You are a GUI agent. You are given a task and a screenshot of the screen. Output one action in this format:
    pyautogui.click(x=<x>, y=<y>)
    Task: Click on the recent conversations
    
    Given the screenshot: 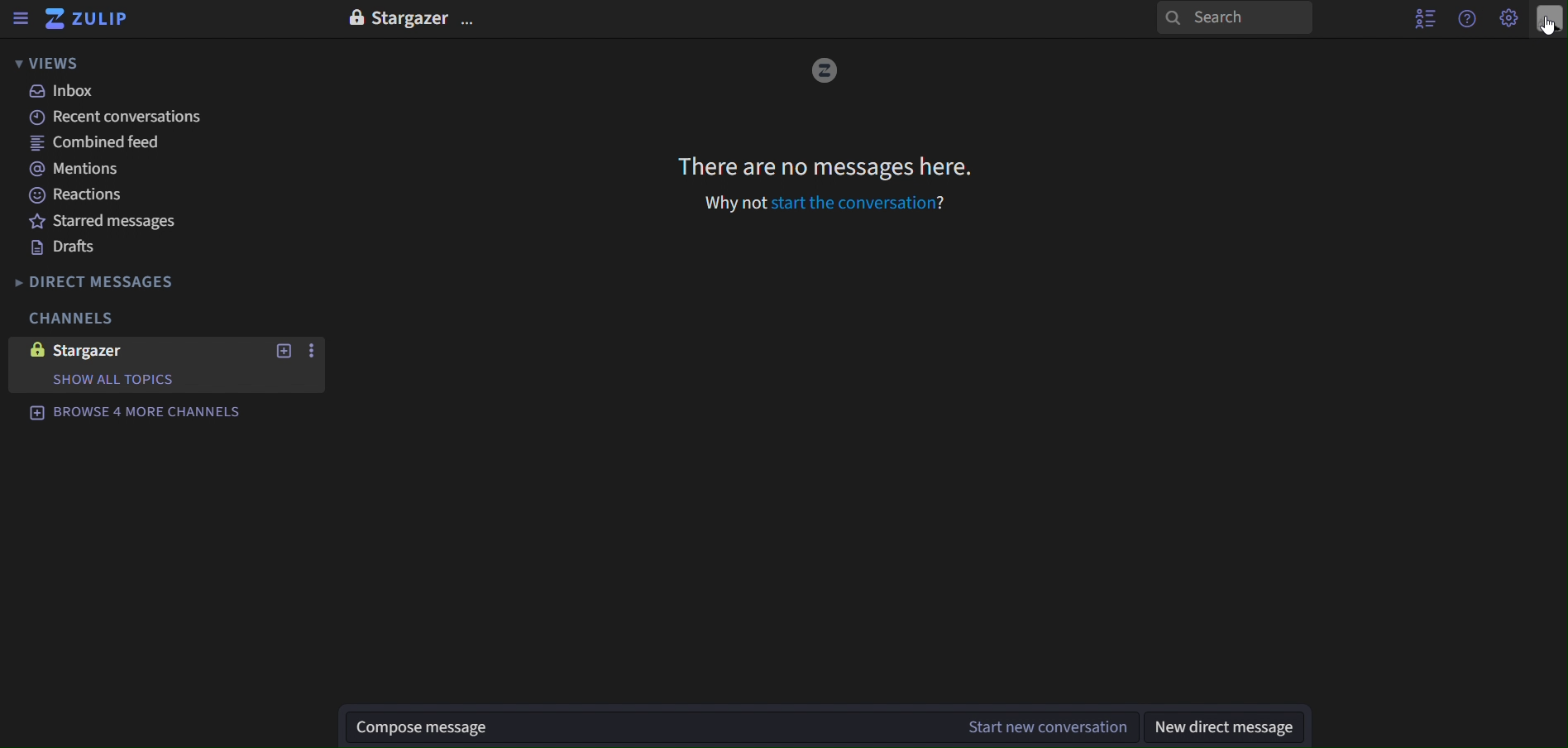 What is the action you would take?
    pyautogui.click(x=115, y=119)
    